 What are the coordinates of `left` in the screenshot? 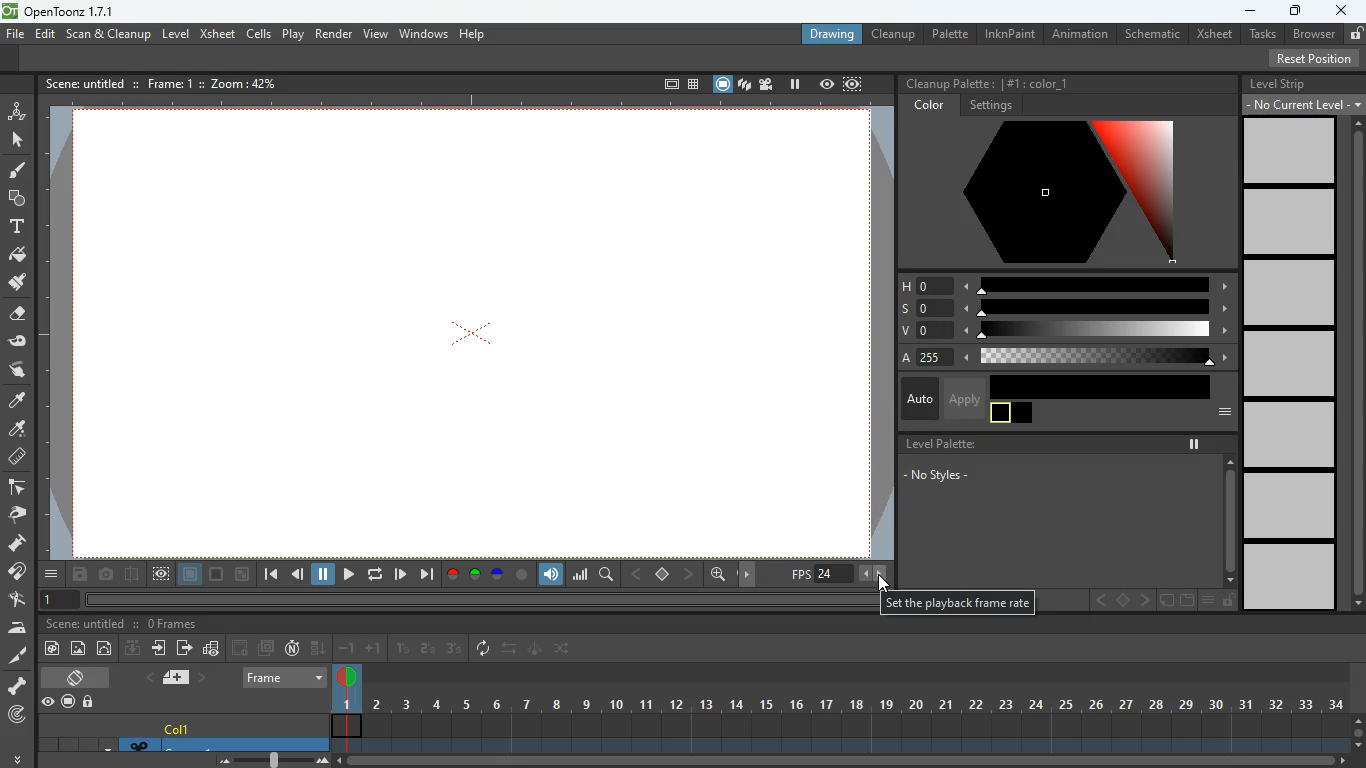 It's located at (638, 576).